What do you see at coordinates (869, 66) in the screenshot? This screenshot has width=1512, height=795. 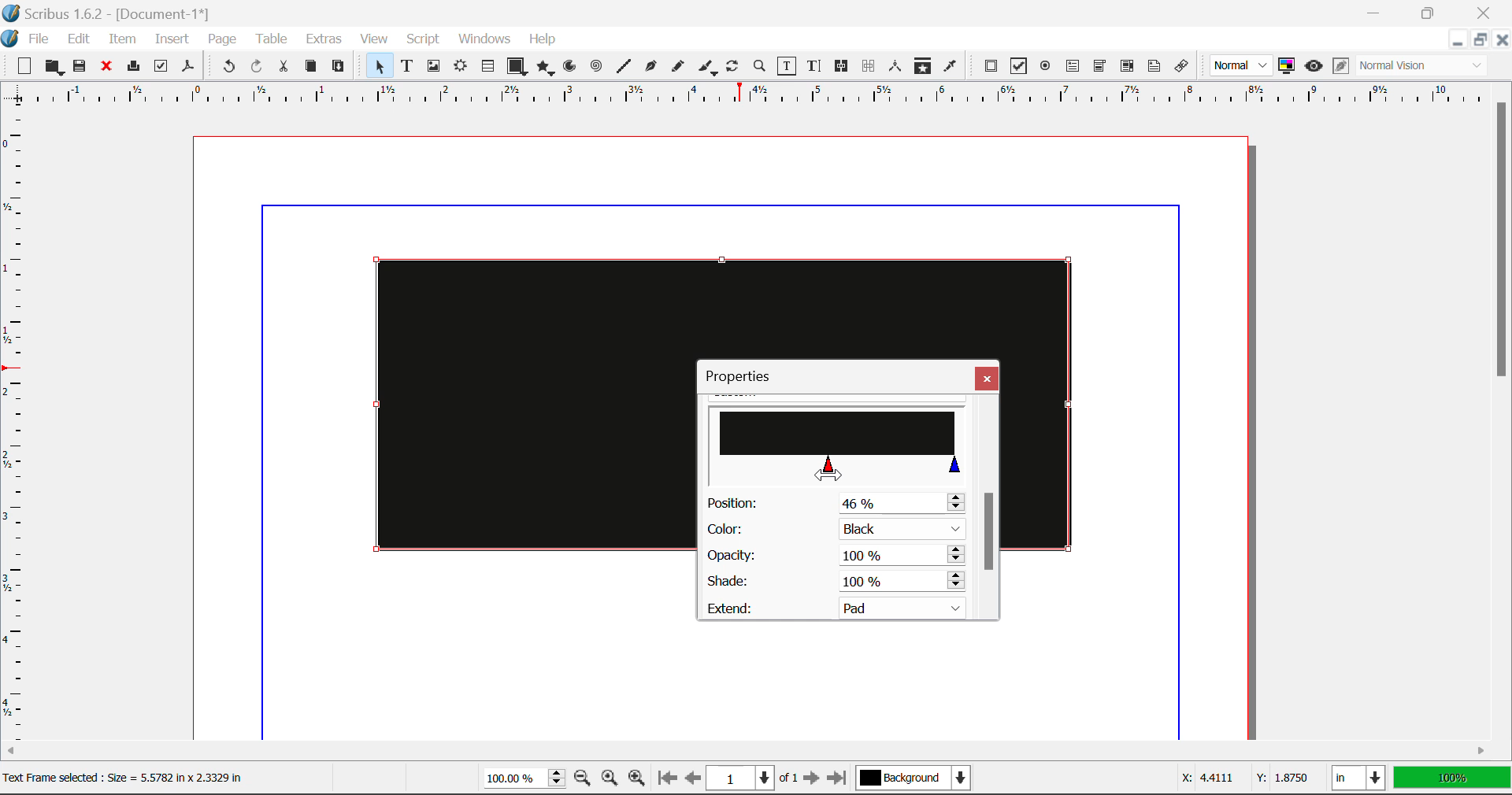 I see `Delink Frames` at bounding box center [869, 66].